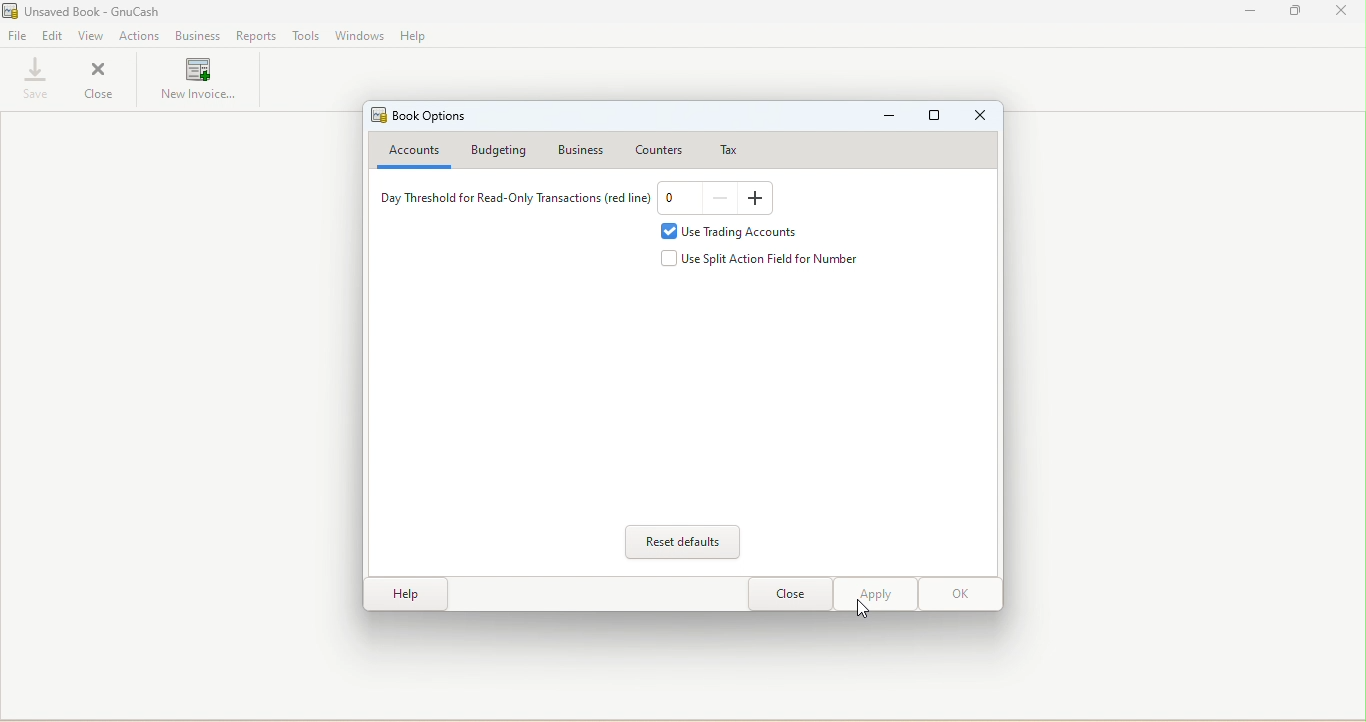 This screenshot has height=722, width=1366. What do you see at coordinates (737, 232) in the screenshot?
I see `Use trading accounts` at bounding box center [737, 232].